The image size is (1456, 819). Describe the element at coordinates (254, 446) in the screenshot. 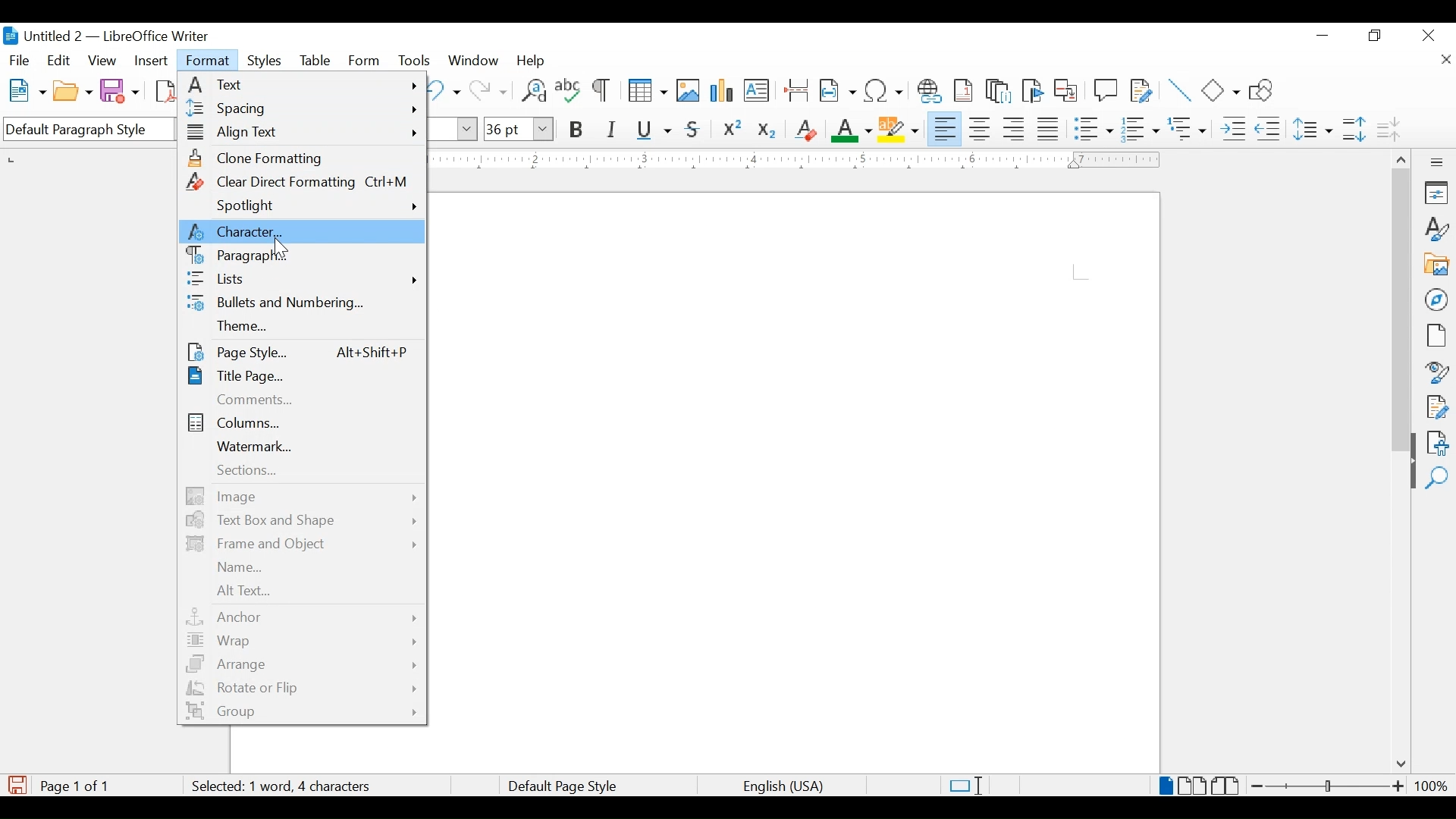

I see `watermark` at that location.